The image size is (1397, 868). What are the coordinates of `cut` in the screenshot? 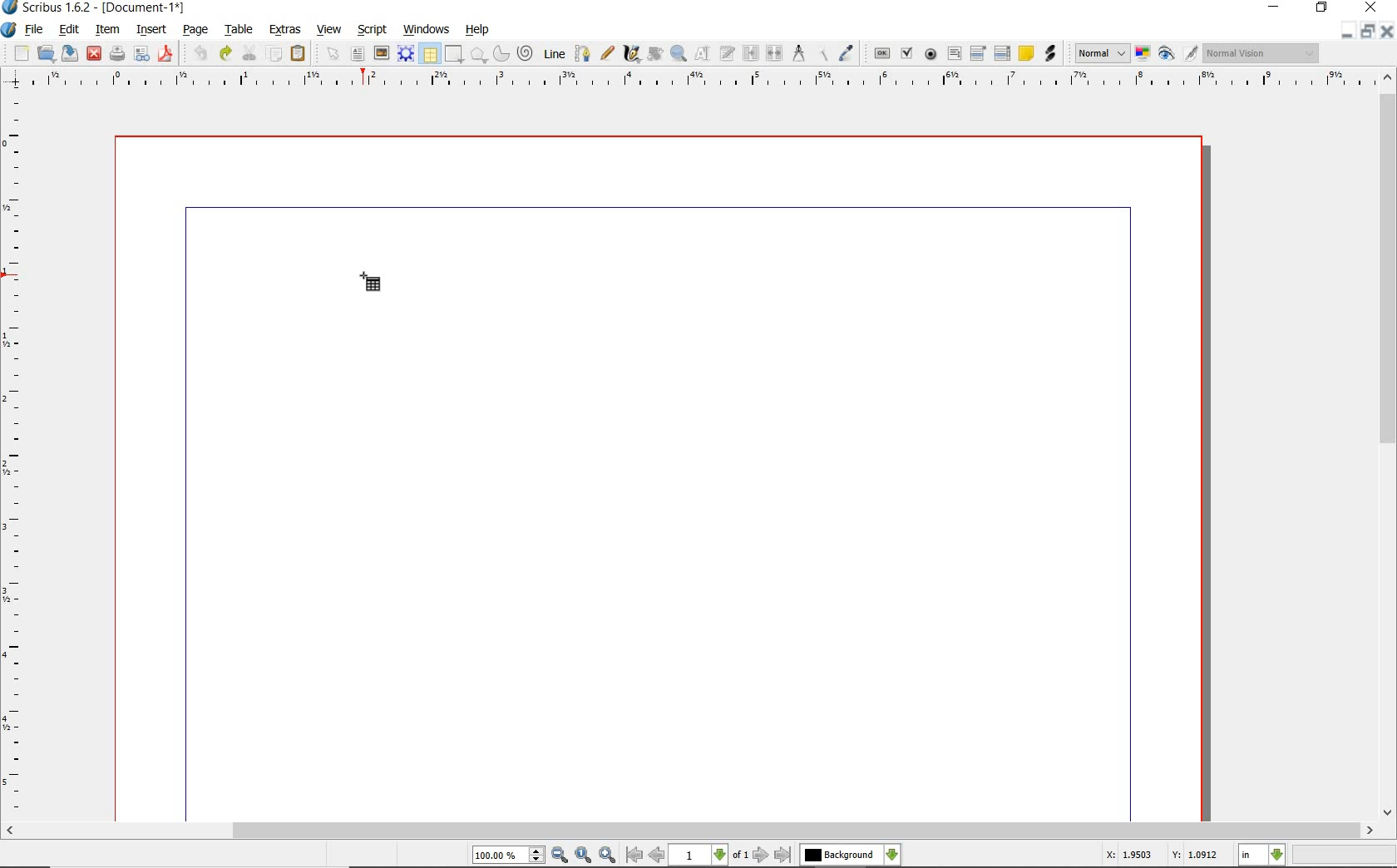 It's located at (251, 52).